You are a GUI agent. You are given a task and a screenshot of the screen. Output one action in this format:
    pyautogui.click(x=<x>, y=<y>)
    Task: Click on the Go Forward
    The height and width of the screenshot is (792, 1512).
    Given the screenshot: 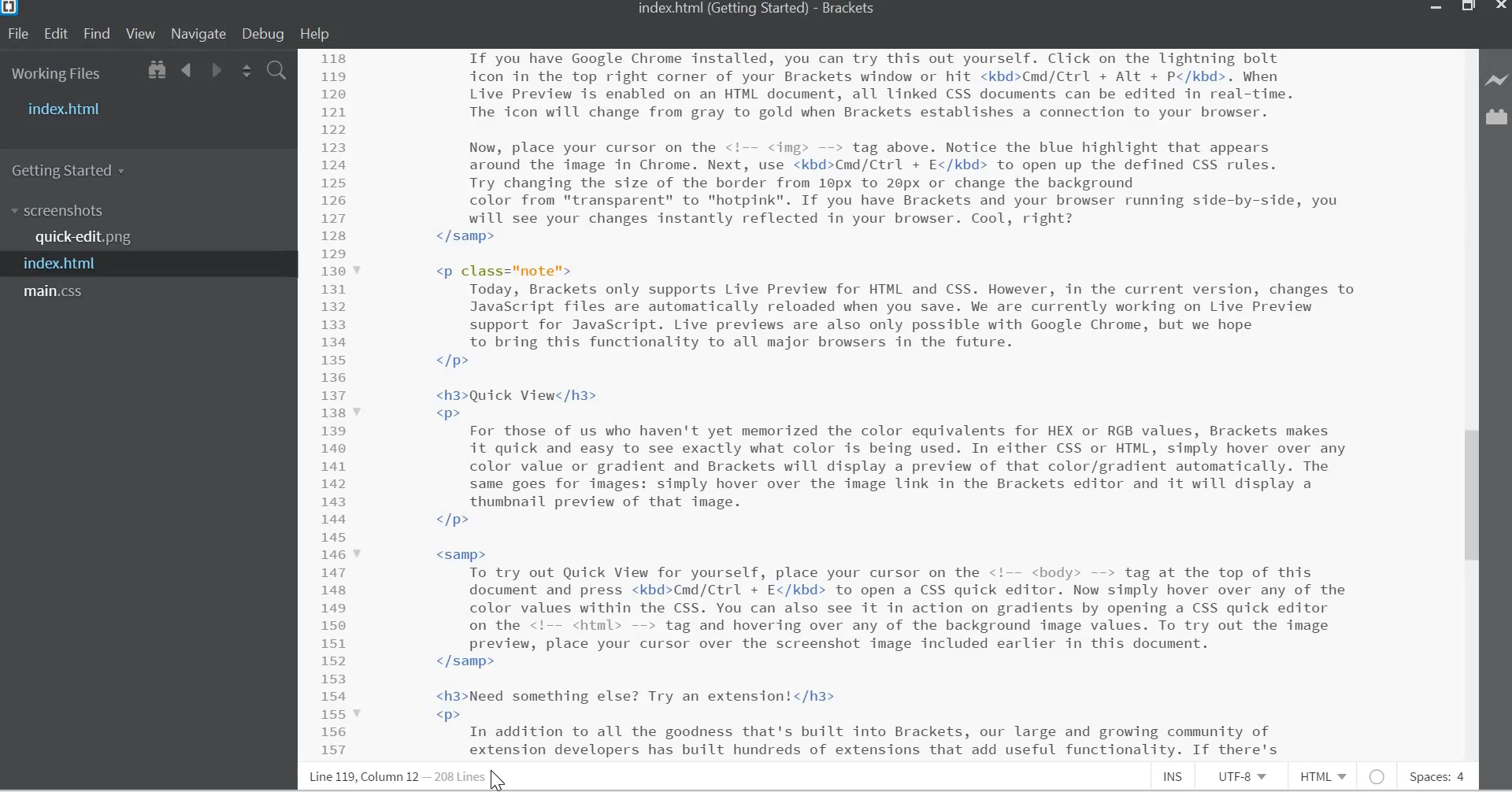 What is the action you would take?
    pyautogui.click(x=215, y=69)
    